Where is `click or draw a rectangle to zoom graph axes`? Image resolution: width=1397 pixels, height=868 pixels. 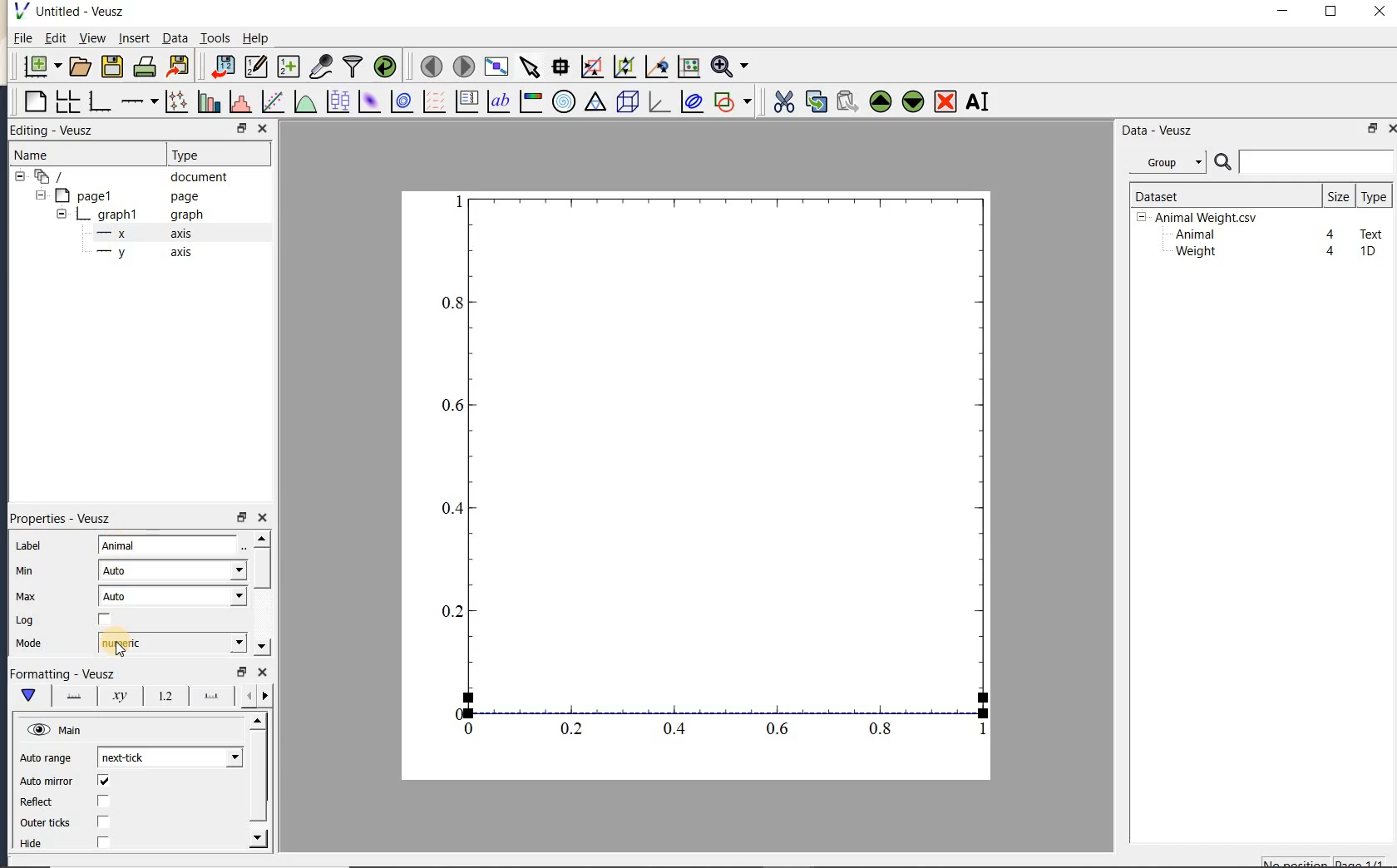 click or draw a rectangle to zoom graph axes is located at coordinates (591, 67).